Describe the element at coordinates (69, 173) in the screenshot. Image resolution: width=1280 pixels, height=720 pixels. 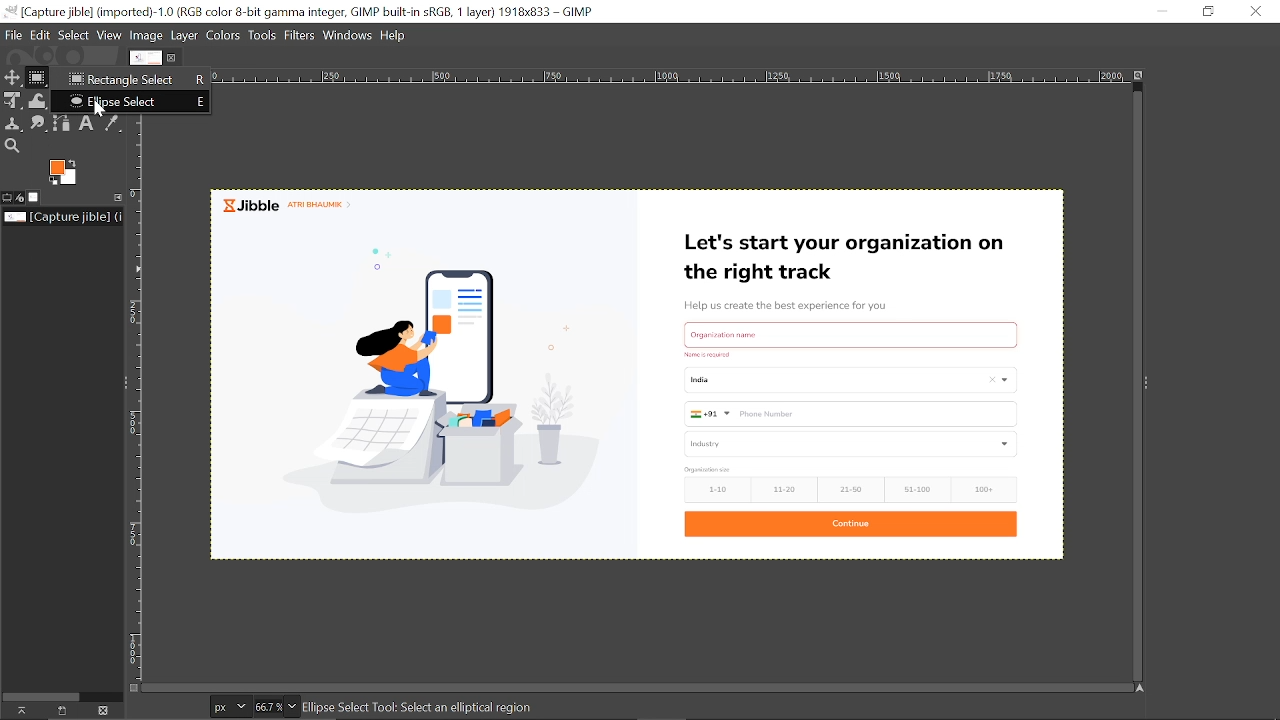
I see `The active background color` at that location.